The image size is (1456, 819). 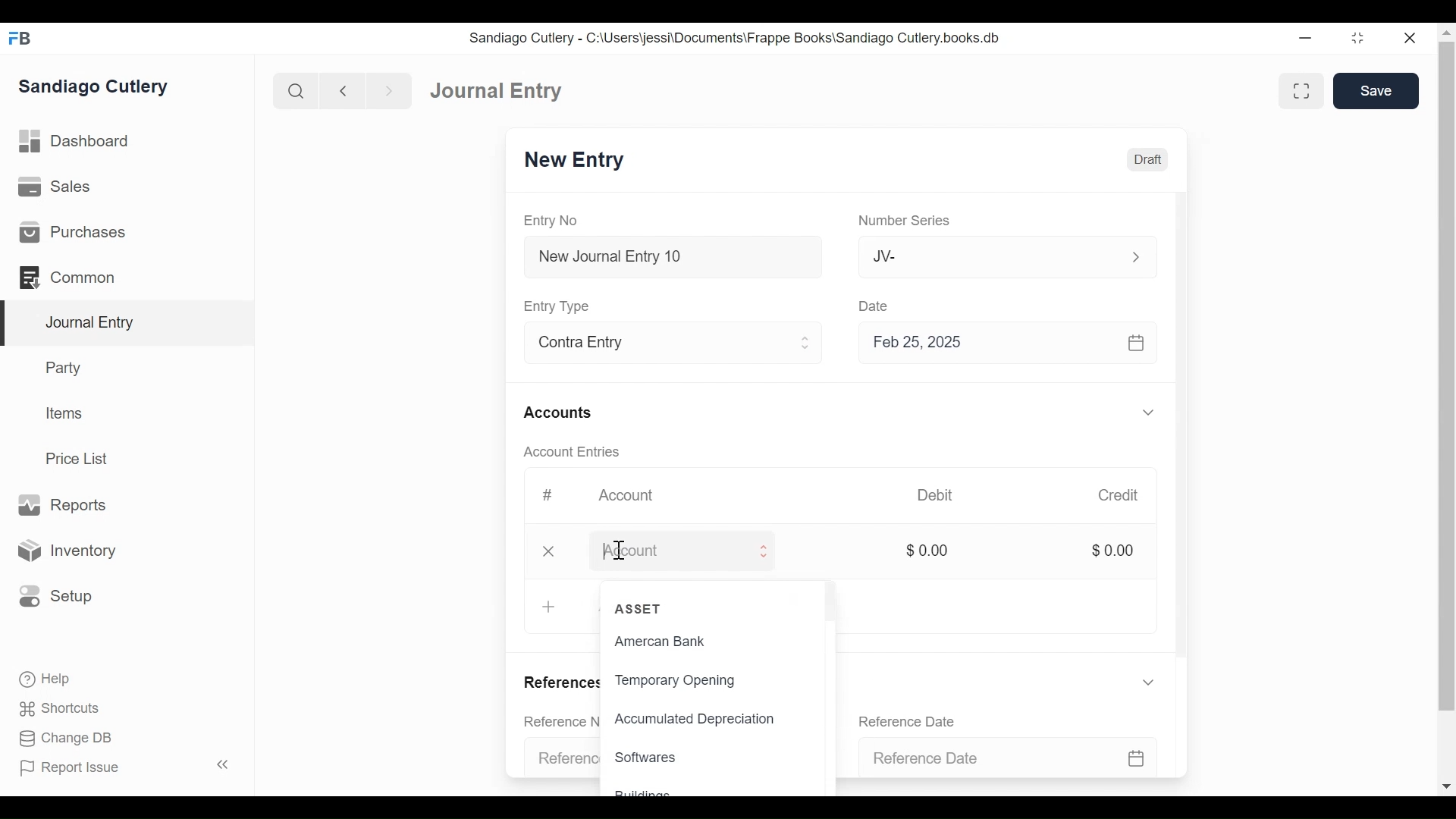 I want to click on Contra Entry, so click(x=655, y=341).